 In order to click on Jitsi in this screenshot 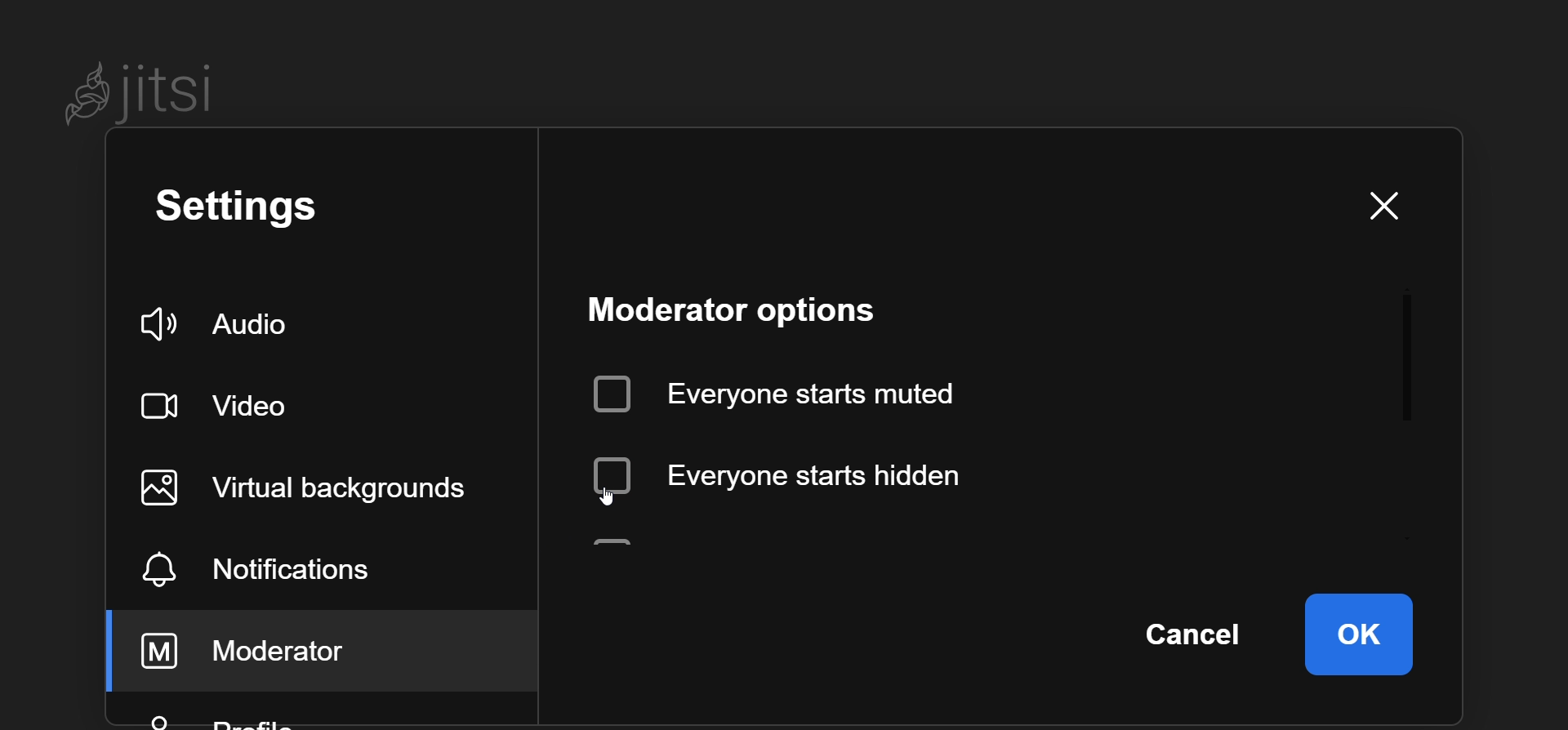, I will do `click(141, 93)`.